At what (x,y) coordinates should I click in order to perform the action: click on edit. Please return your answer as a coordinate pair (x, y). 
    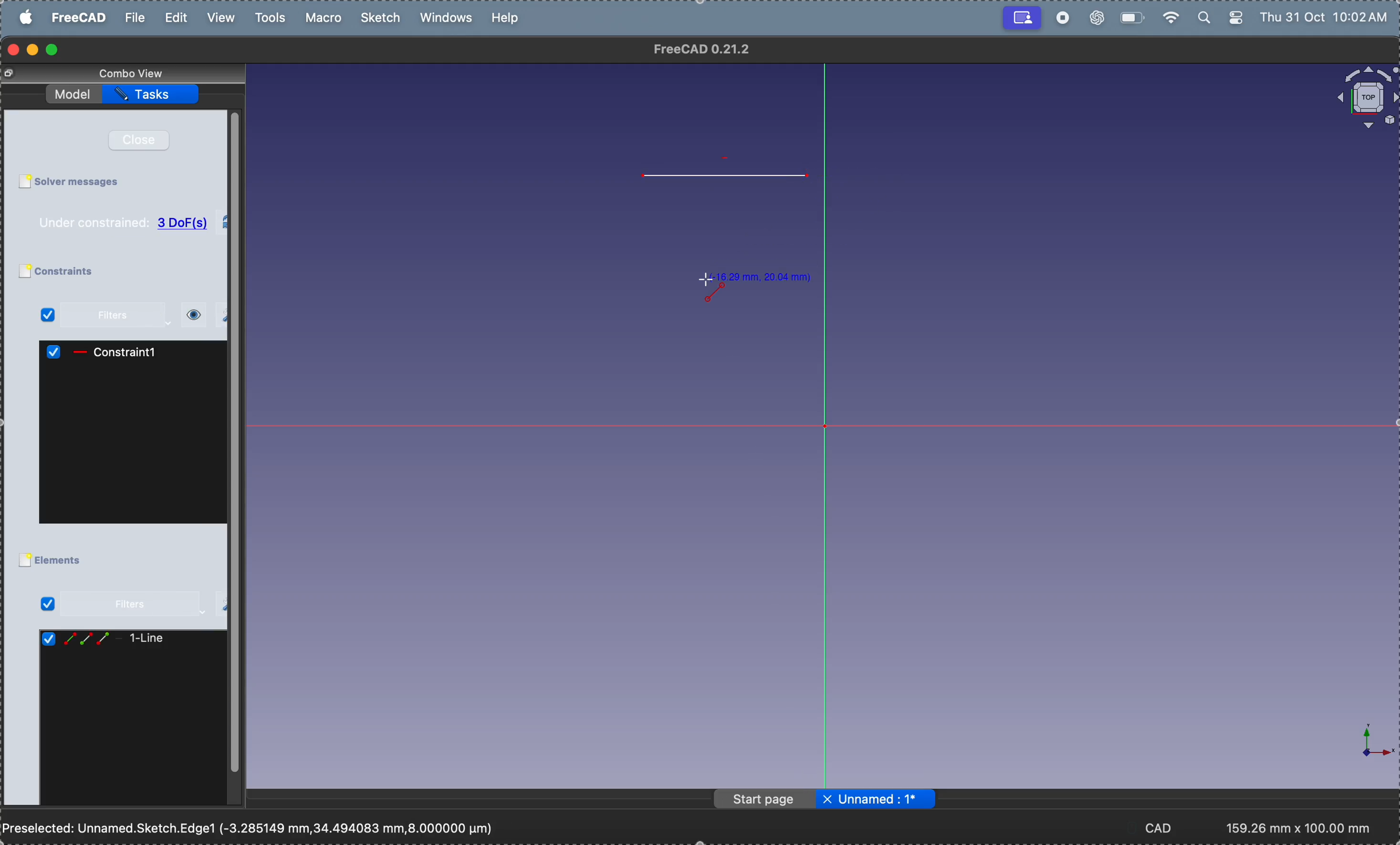
    Looking at the image, I should click on (178, 18).